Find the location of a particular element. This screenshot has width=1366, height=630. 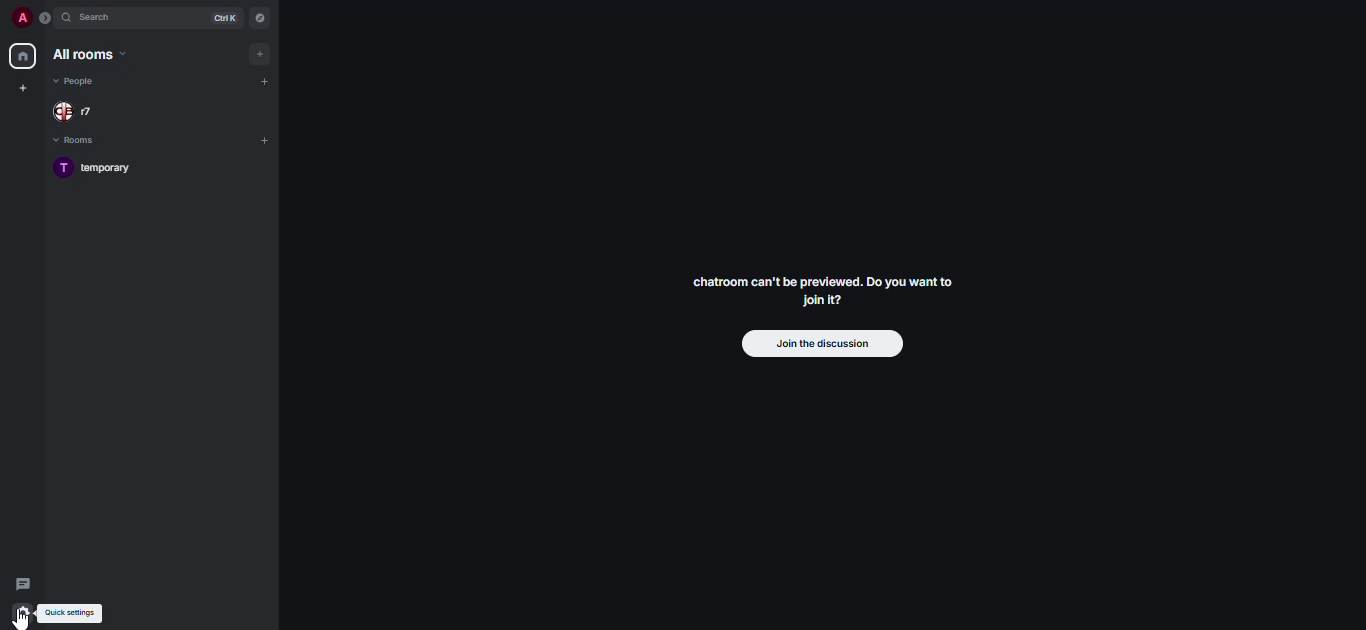

room is located at coordinates (109, 169).